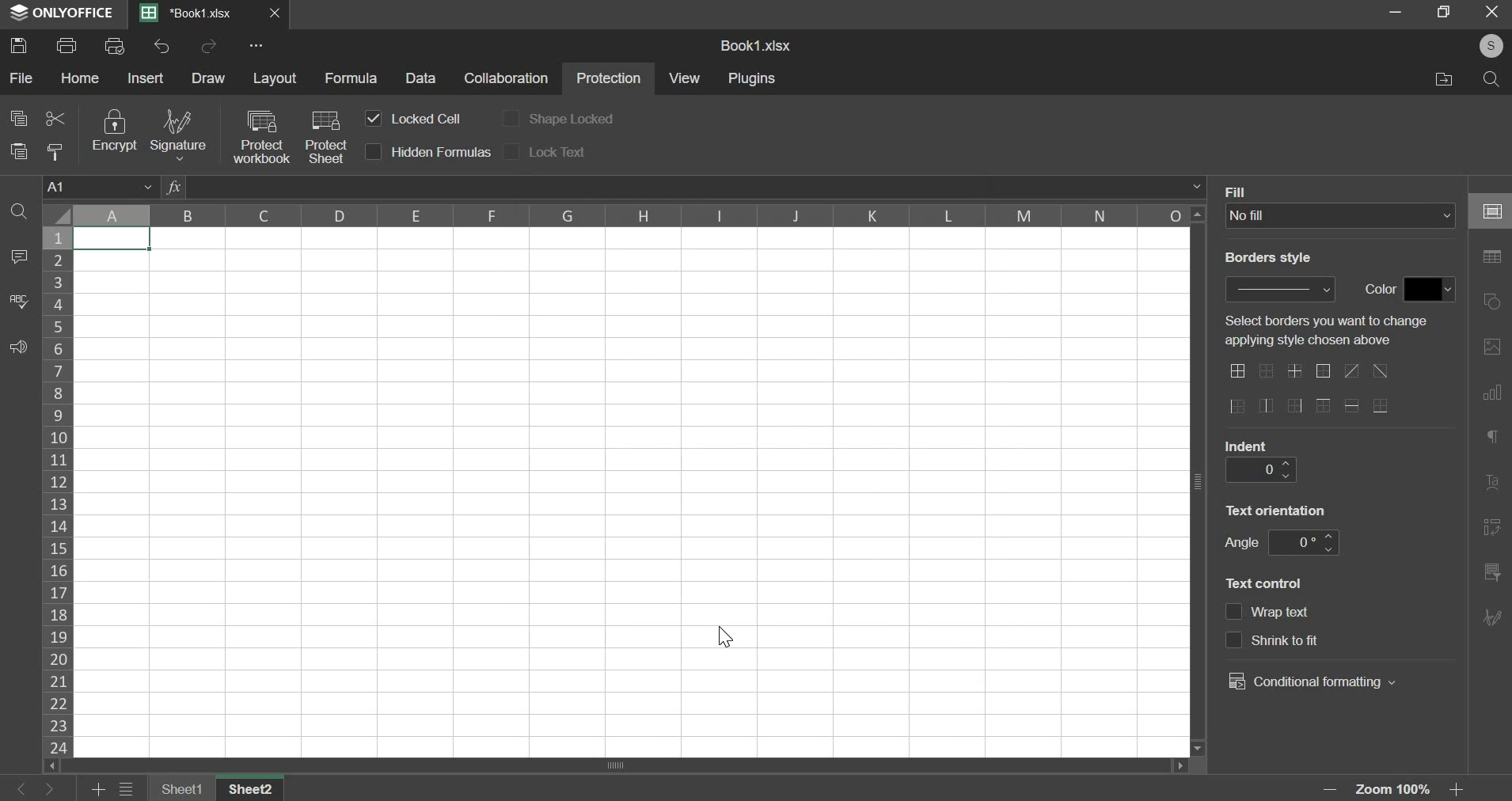 The image size is (1512, 801). Describe the element at coordinates (1445, 11) in the screenshot. I see `Minimise` at that location.